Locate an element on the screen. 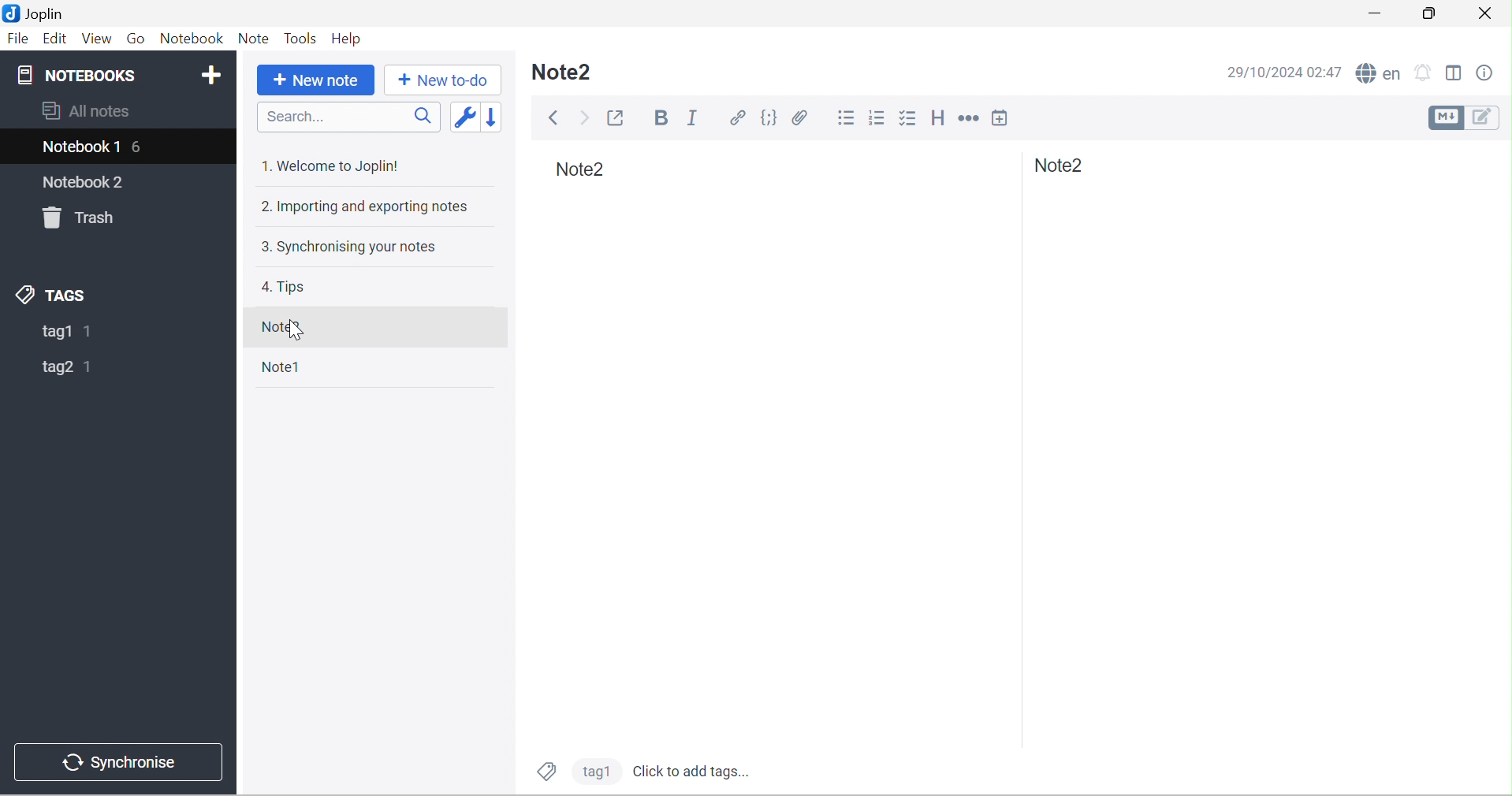 The image size is (1512, 796). Note2 is located at coordinates (579, 169).